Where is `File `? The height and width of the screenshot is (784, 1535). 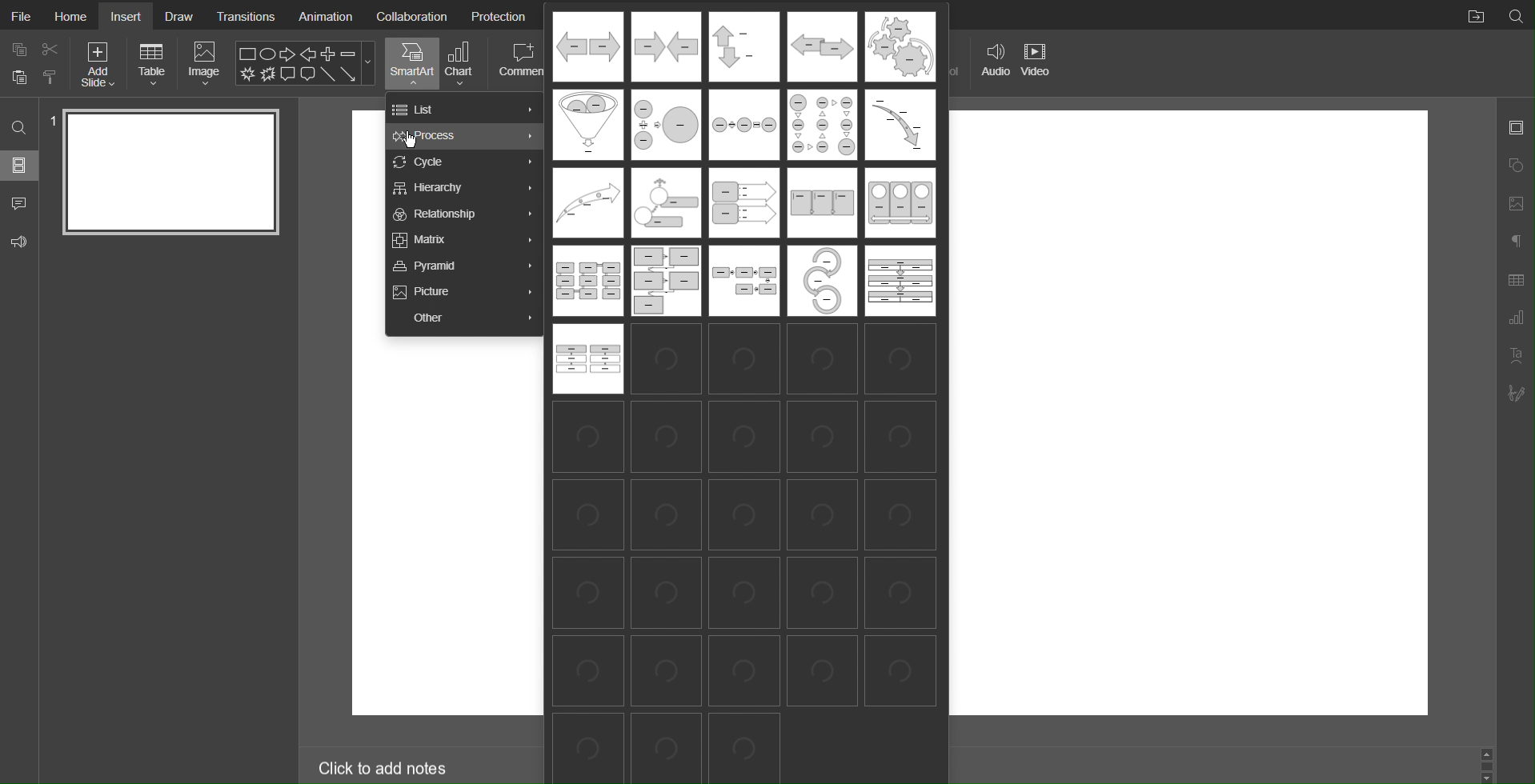
File  is located at coordinates (19, 14).